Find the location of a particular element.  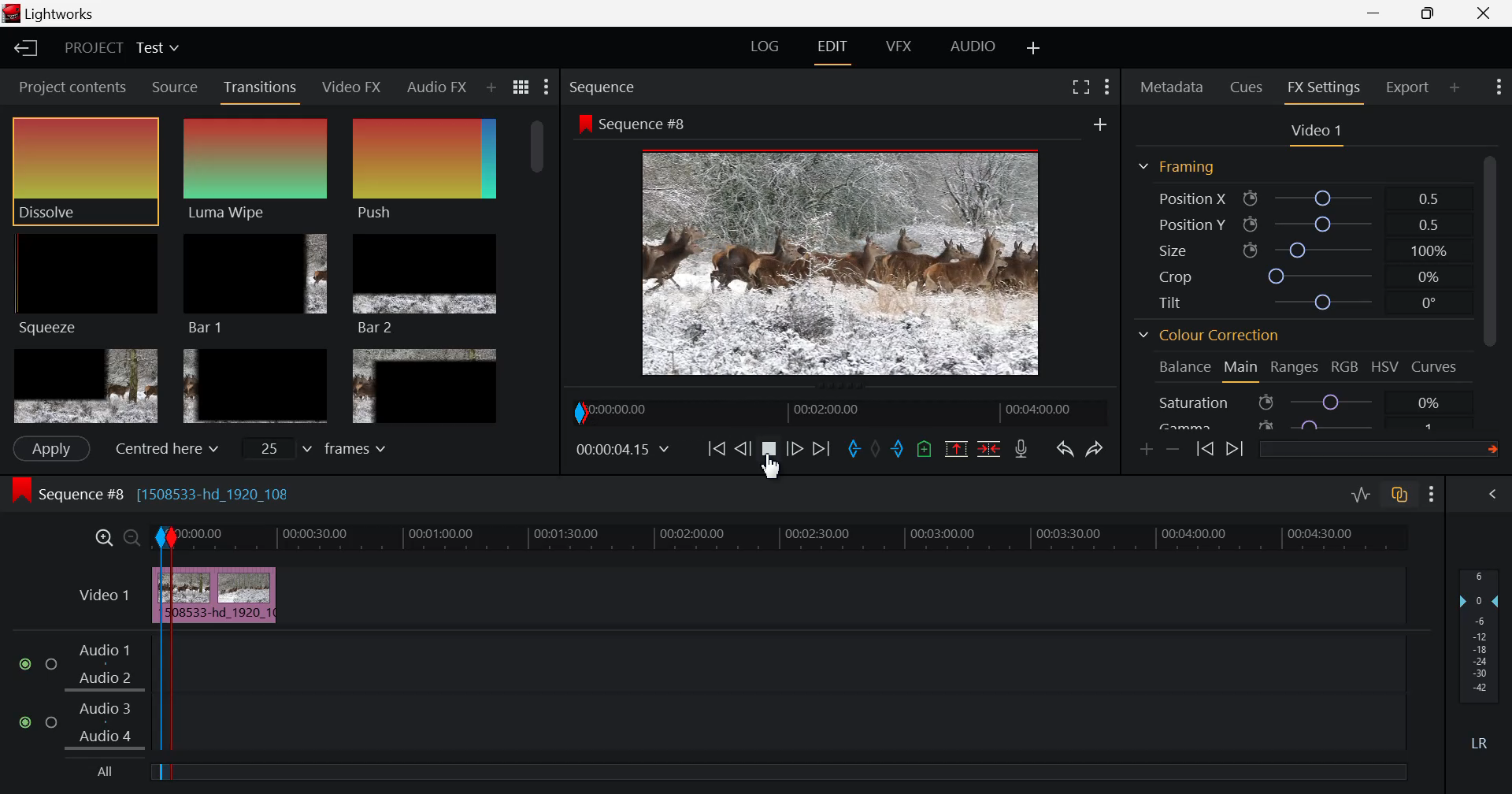

Show settings is located at coordinates (1107, 87).